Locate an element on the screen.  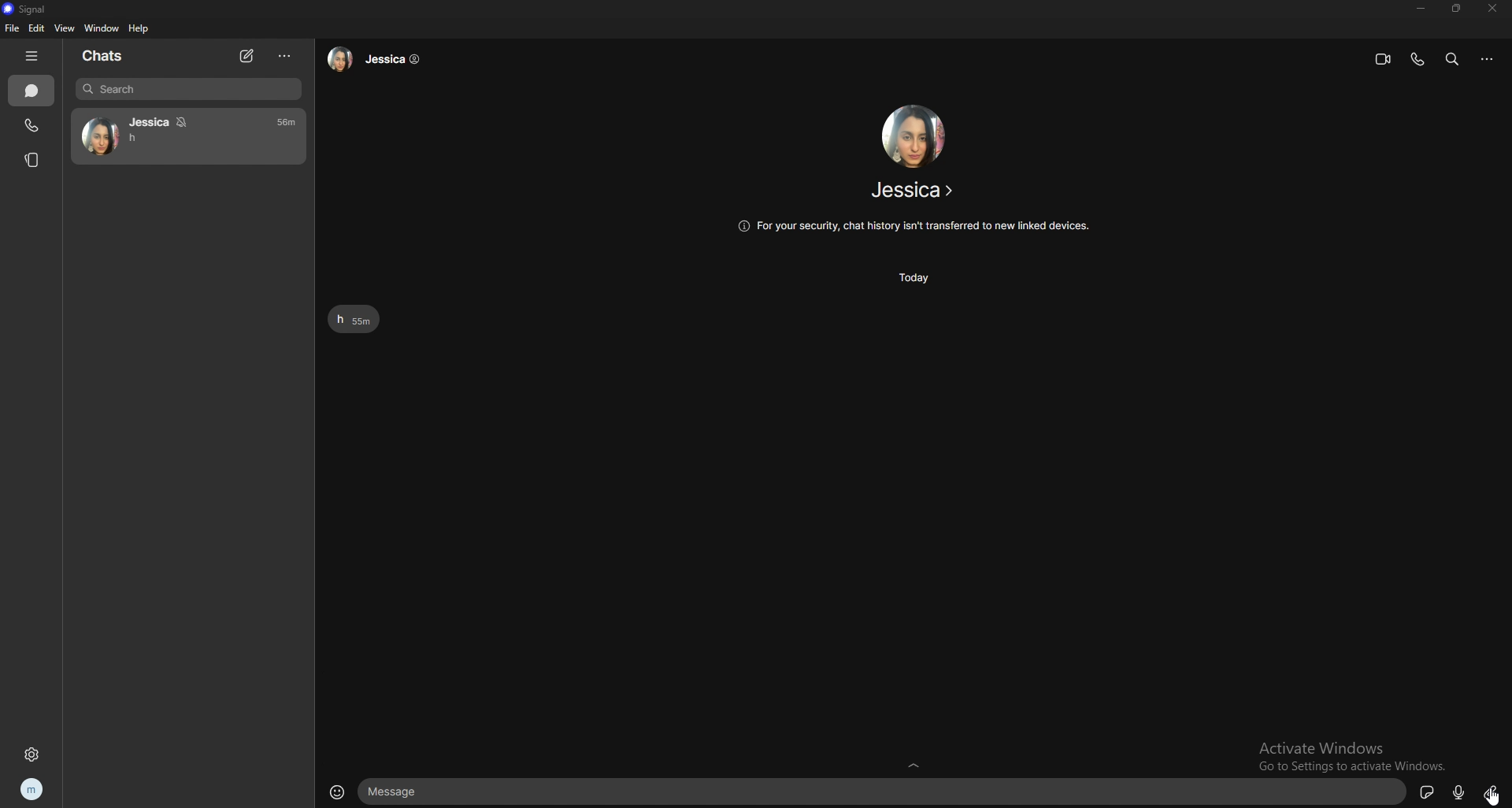
contact photo is located at coordinates (914, 136).